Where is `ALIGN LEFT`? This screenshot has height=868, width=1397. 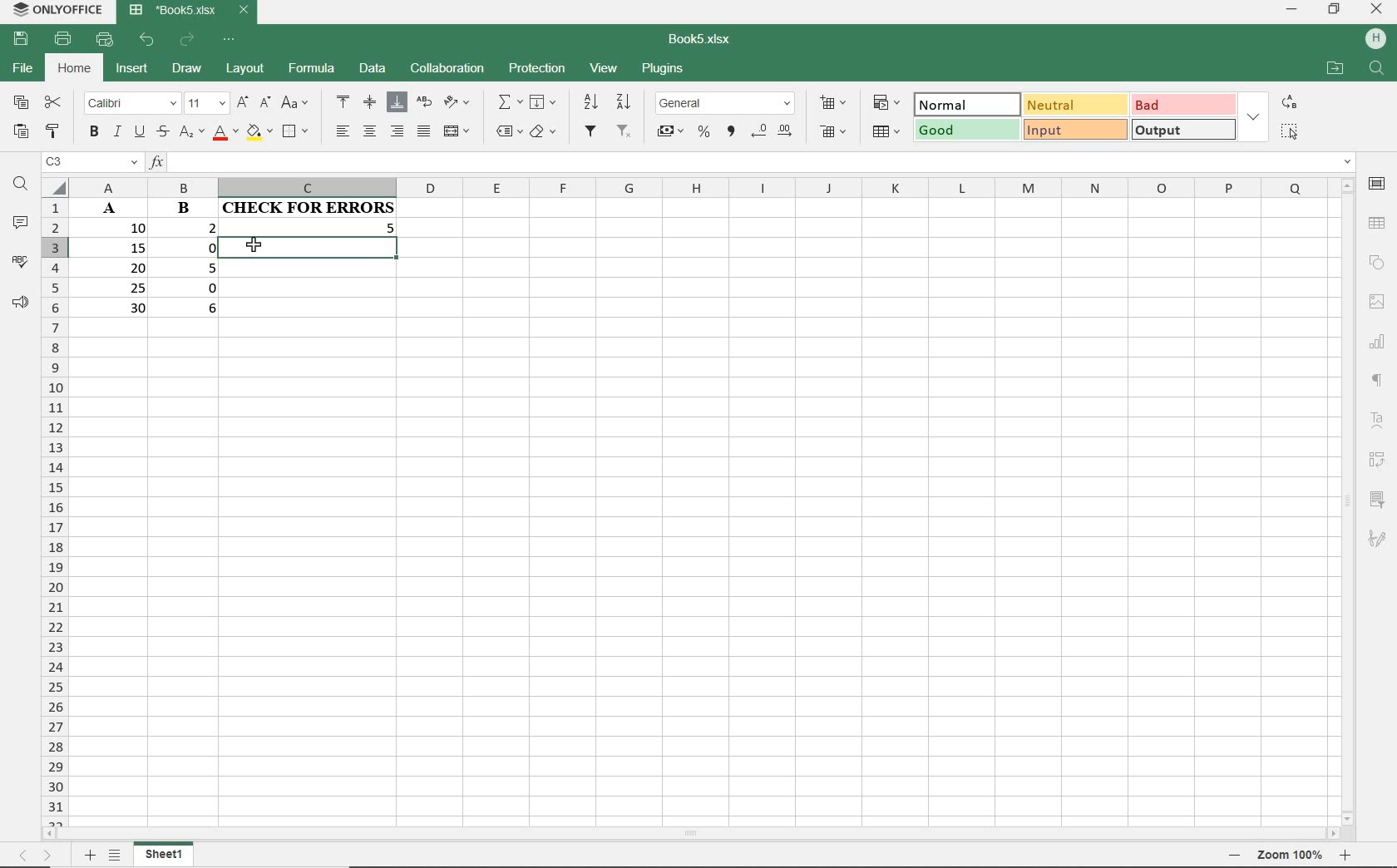 ALIGN LEFT is located at coordinates (343, 131).